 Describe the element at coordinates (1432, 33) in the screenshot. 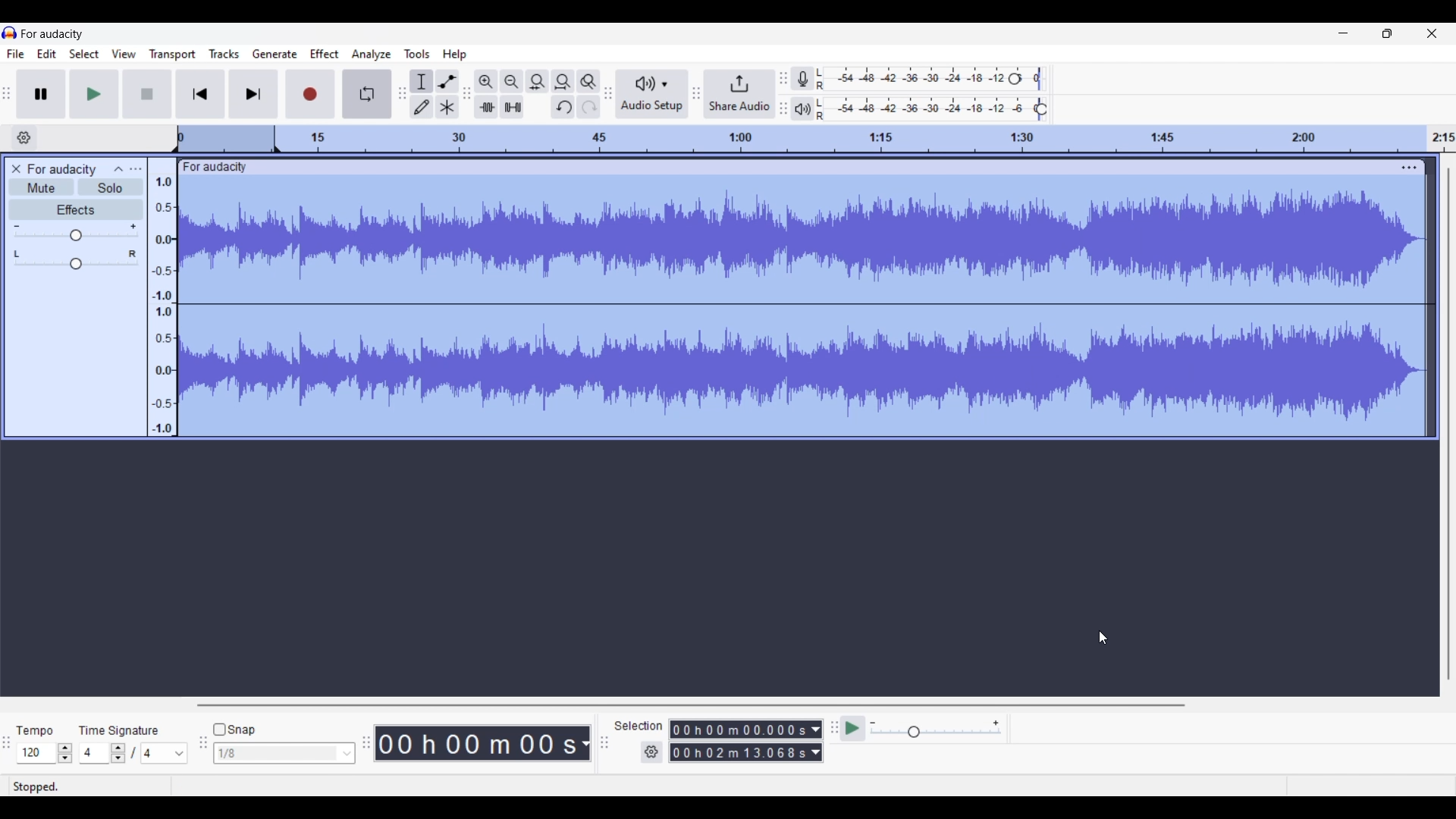

I see `Close interface` at that location.